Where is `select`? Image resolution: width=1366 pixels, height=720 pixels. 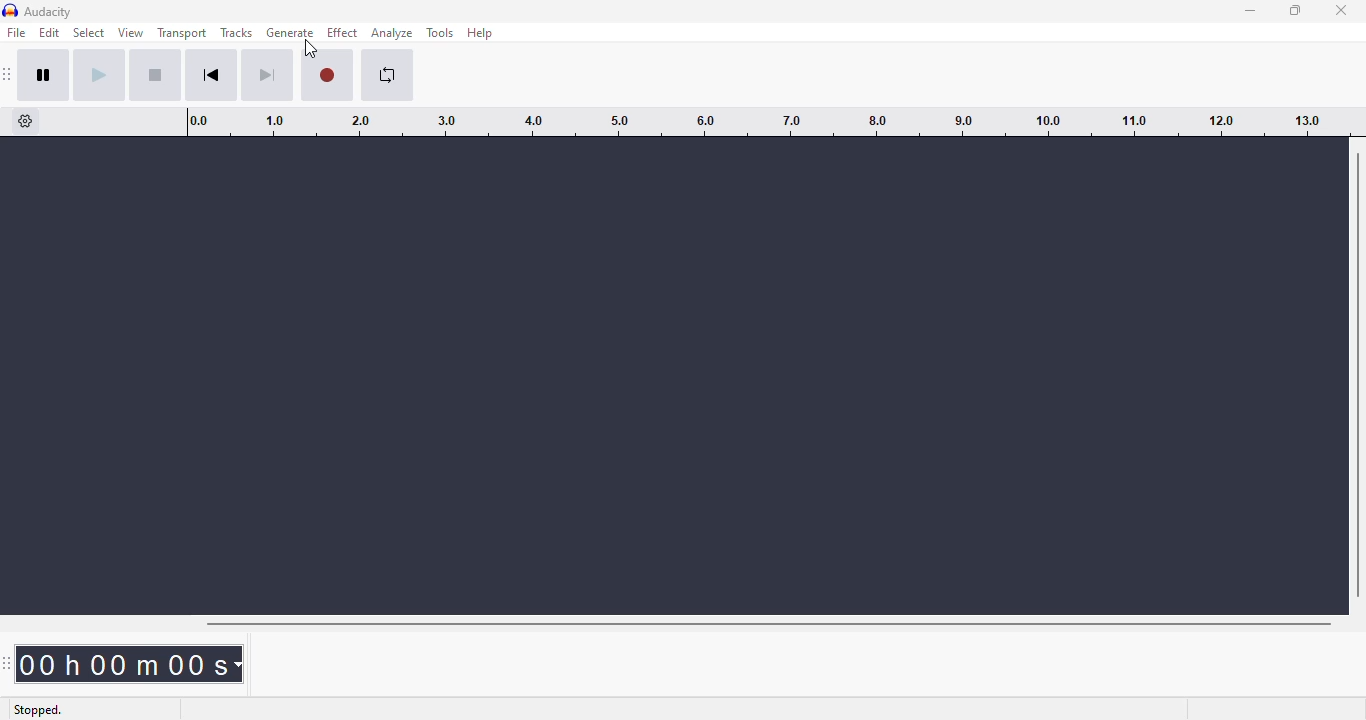 select is located at coordinates (89, 32).